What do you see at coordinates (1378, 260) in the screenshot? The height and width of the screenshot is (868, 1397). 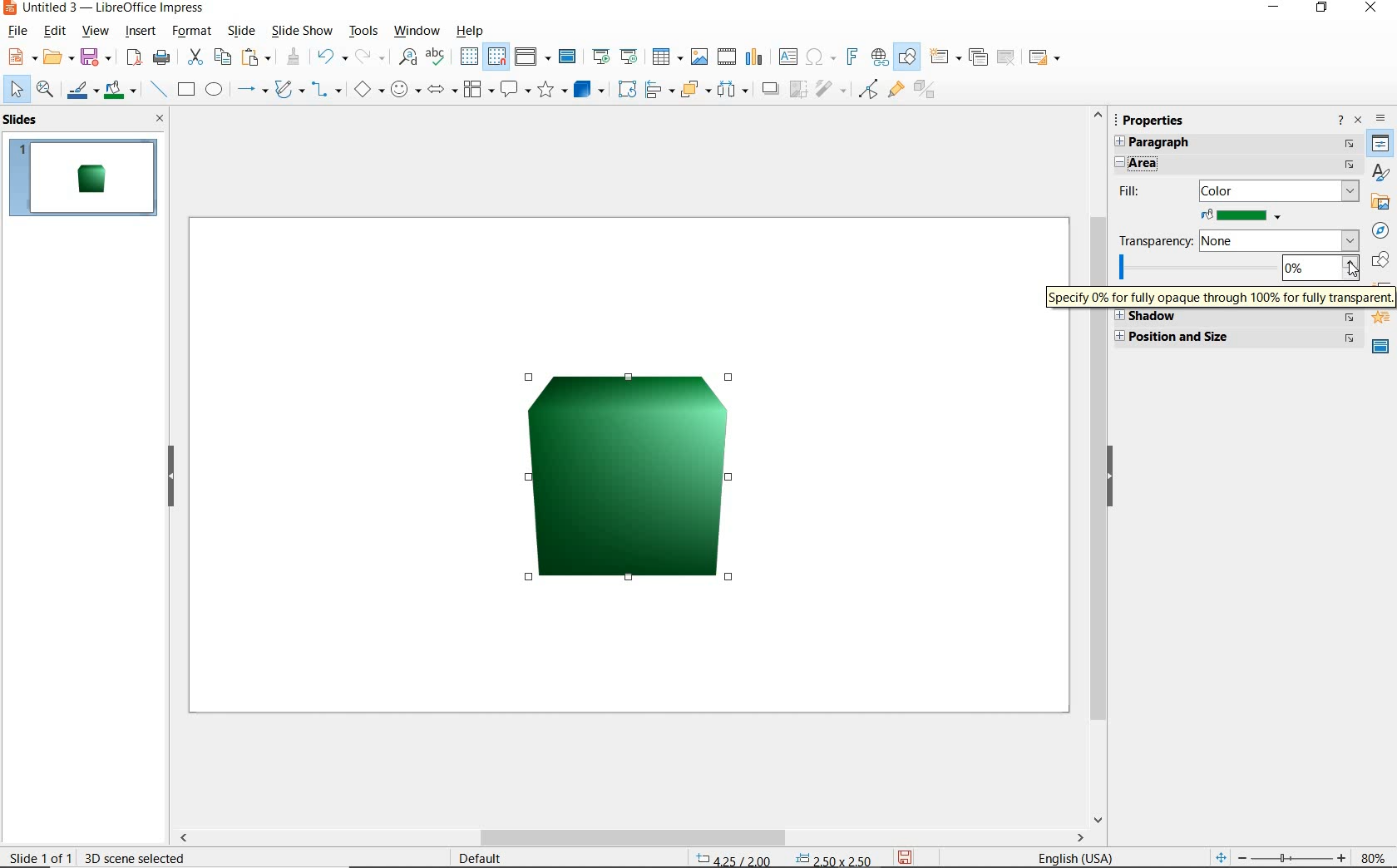 I see `SHAPES` at bounding box center [1378, 260].